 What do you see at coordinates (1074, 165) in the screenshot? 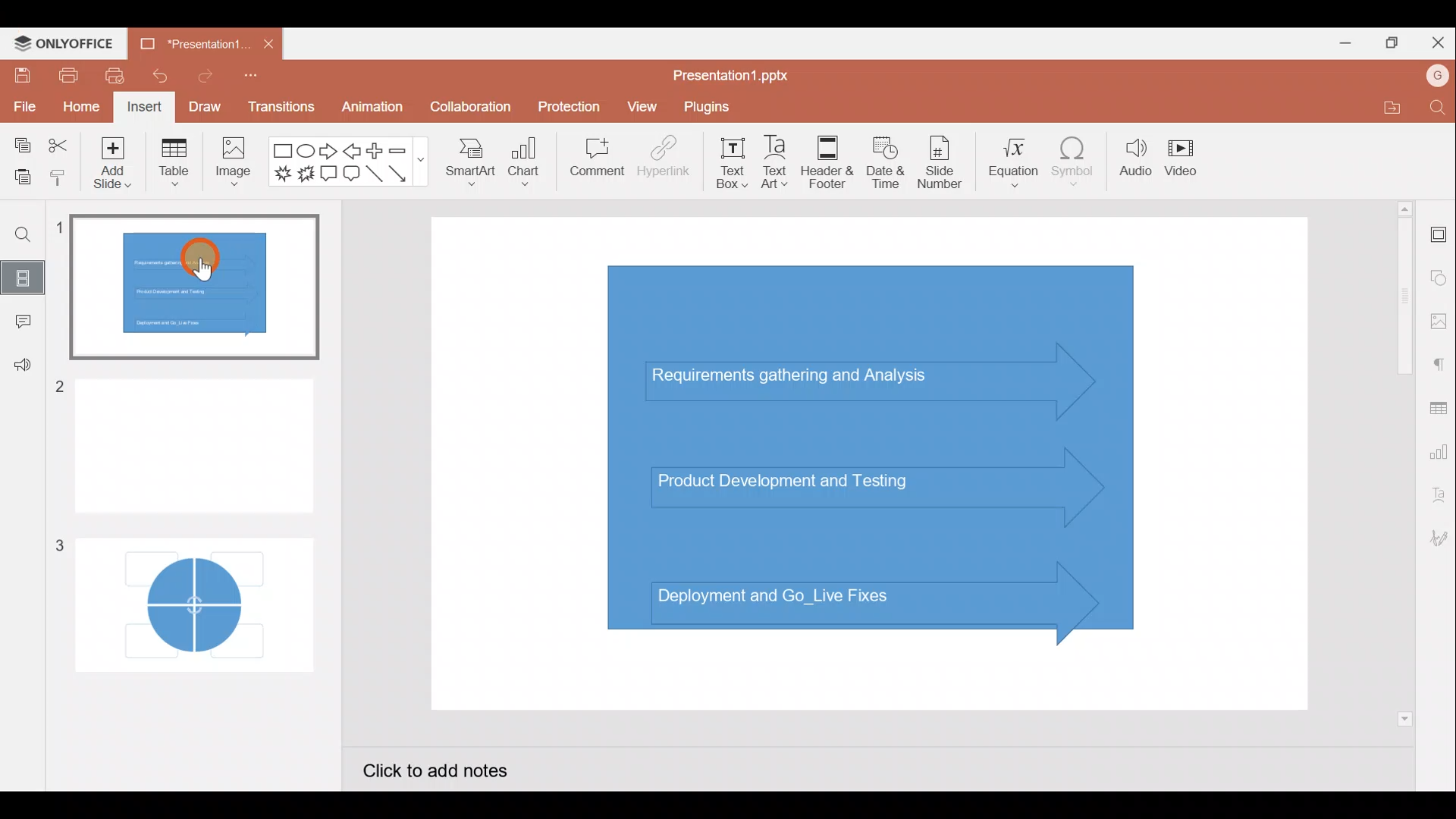
I see `Symbol` at bounding box center [1074, 165].